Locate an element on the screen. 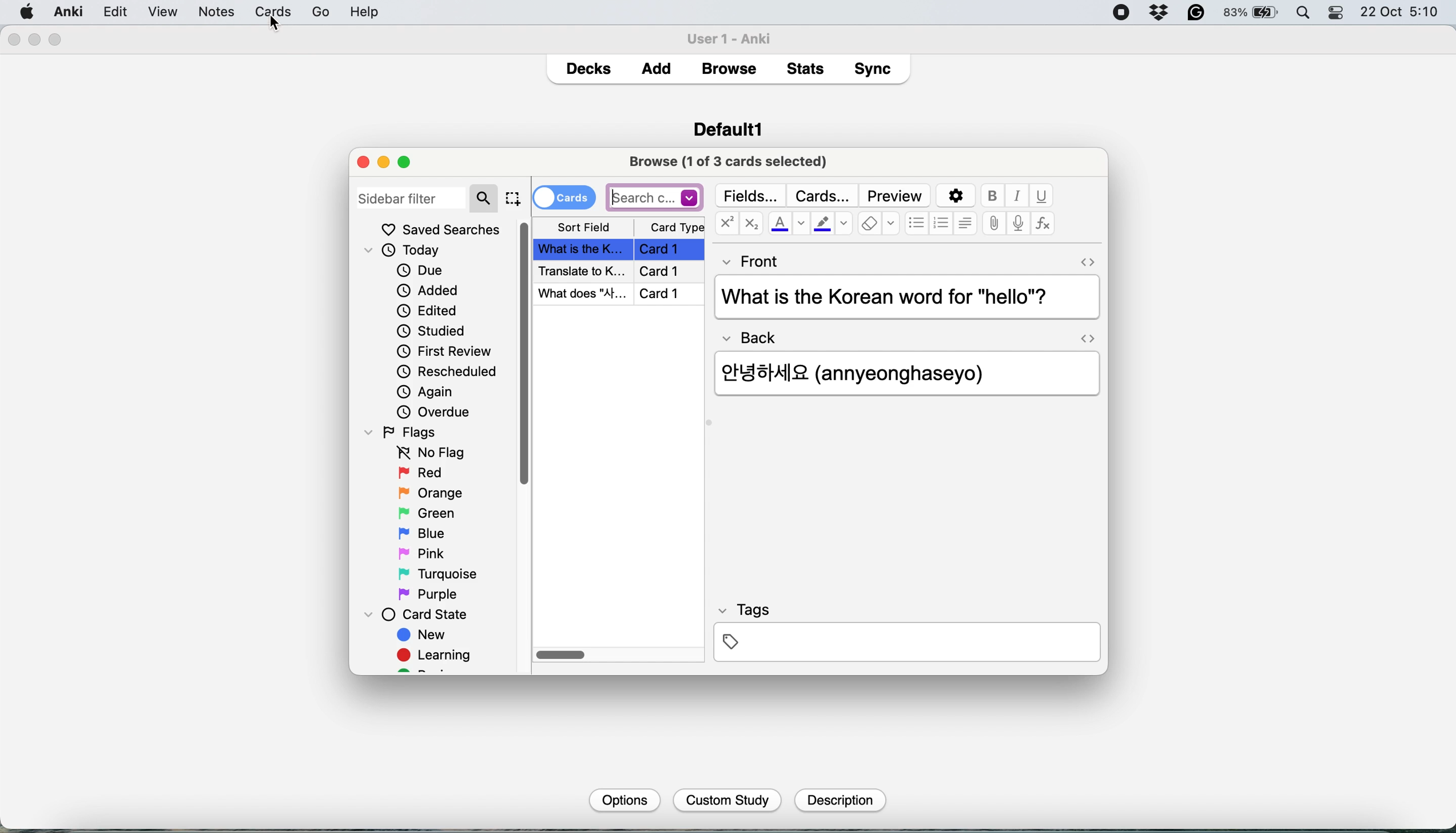  tools is located at coordinates (253, 11).